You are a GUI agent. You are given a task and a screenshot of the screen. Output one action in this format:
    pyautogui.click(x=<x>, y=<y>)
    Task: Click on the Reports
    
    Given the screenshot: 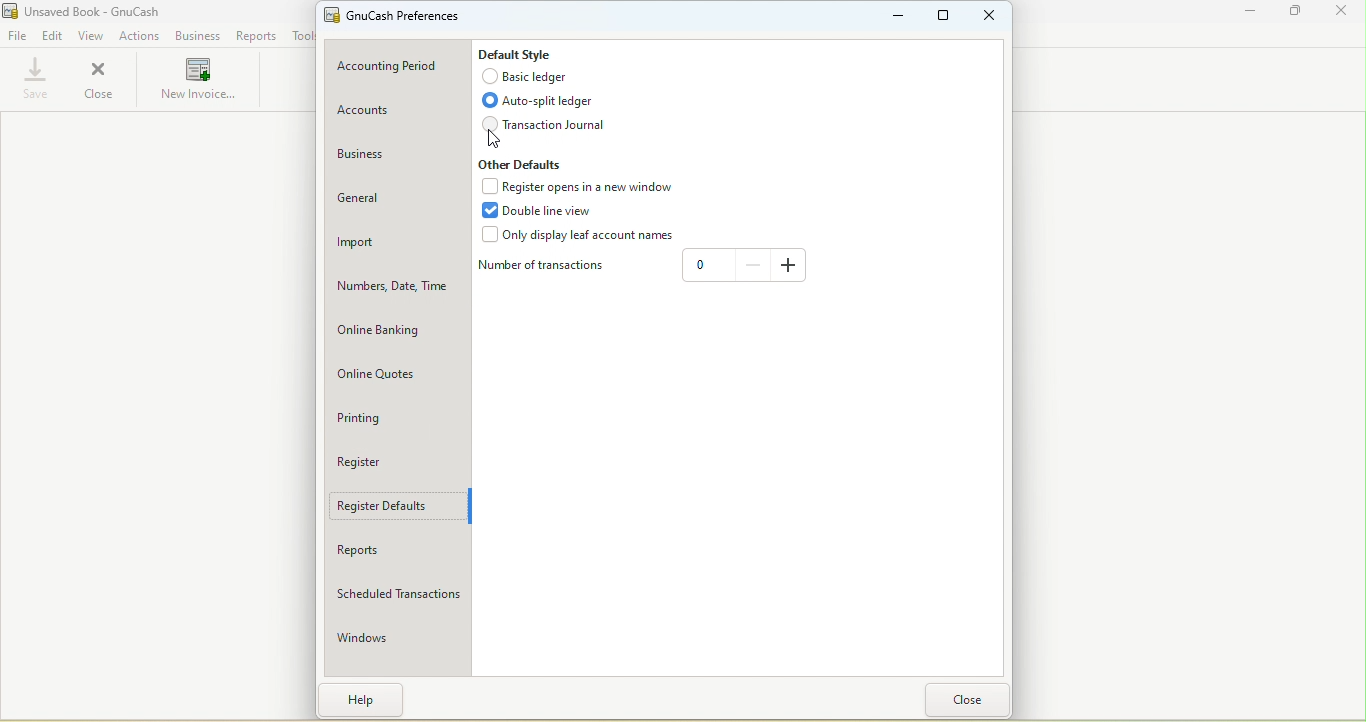 What is the action you would take?
    pyautogui.click(x=256, y=36)
    